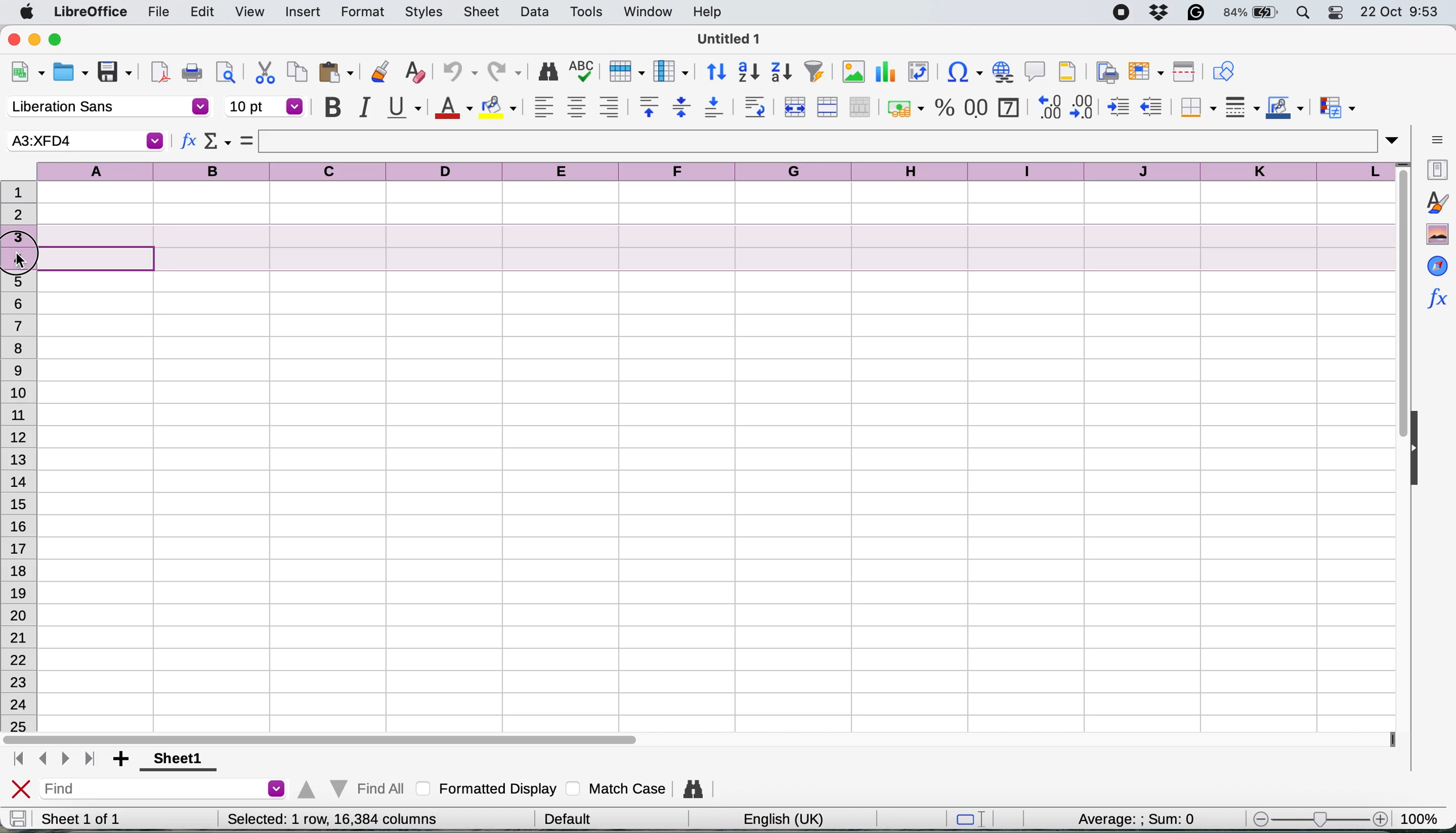 The width and height of the screenshot is (1456, 833). I want to click on find and replace, so click(549, 72).